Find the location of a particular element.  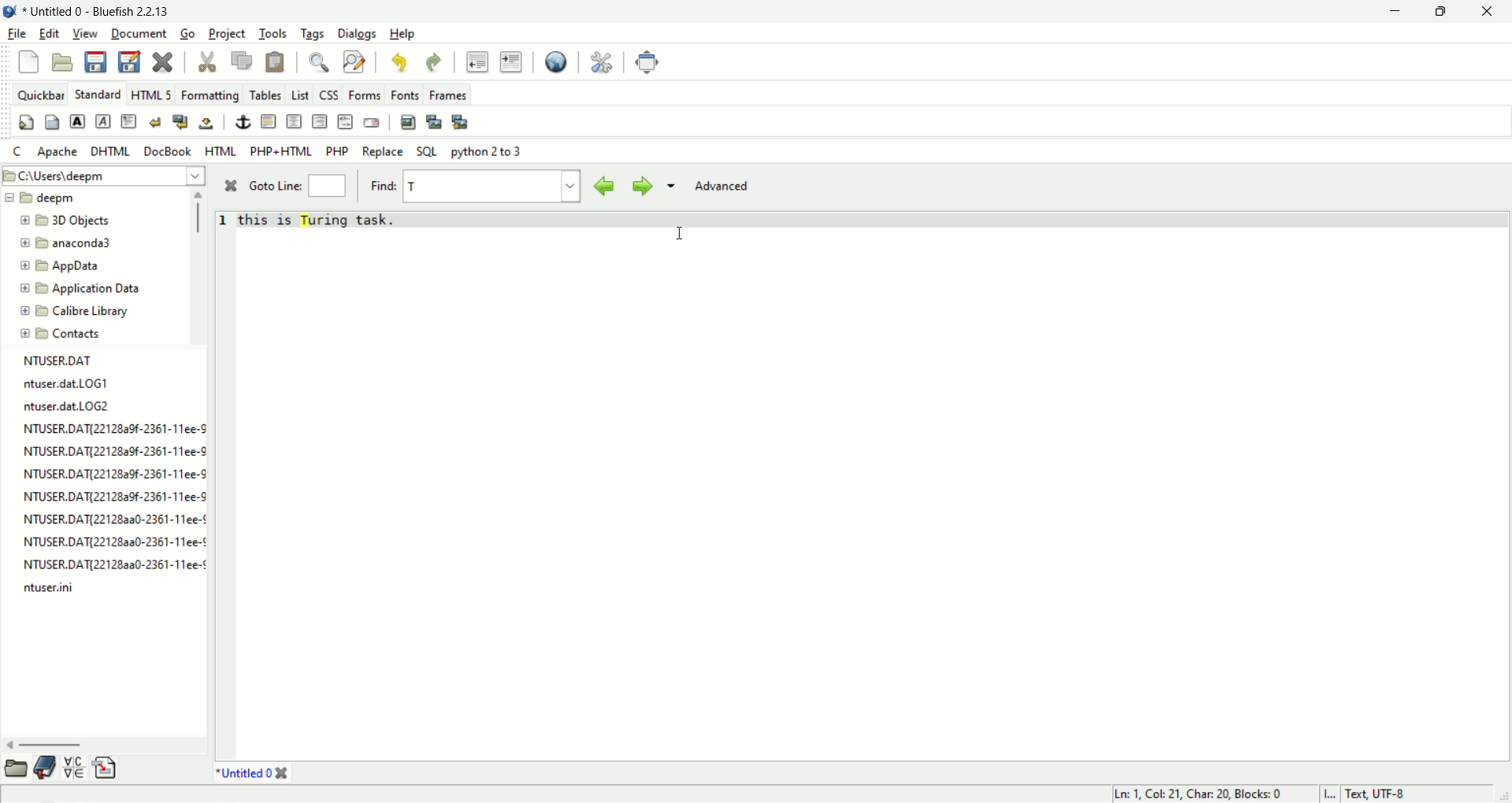

tables is located at coordinates (266, 95).